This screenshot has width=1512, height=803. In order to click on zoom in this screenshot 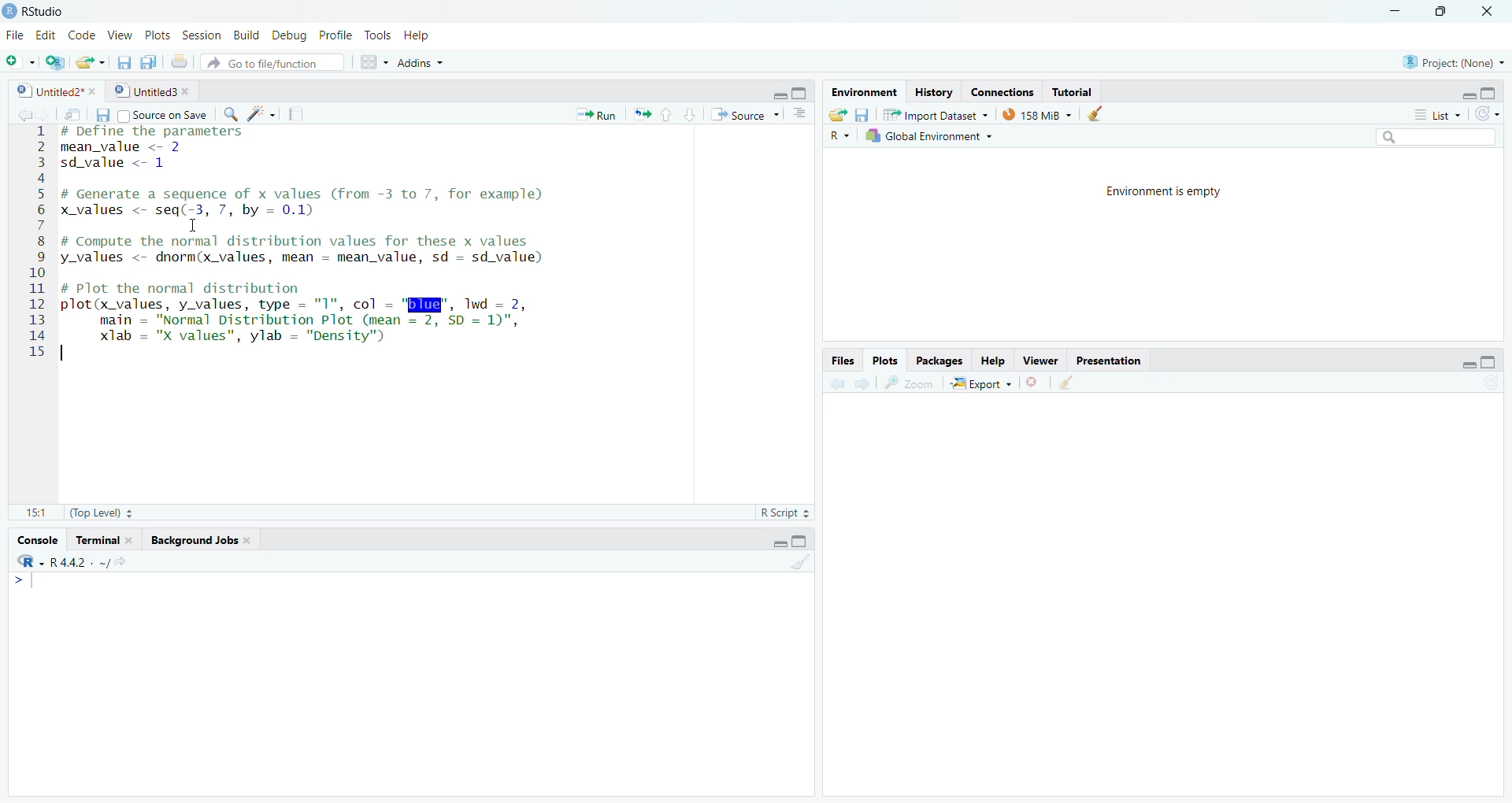, I will do `click(914, 380)`.